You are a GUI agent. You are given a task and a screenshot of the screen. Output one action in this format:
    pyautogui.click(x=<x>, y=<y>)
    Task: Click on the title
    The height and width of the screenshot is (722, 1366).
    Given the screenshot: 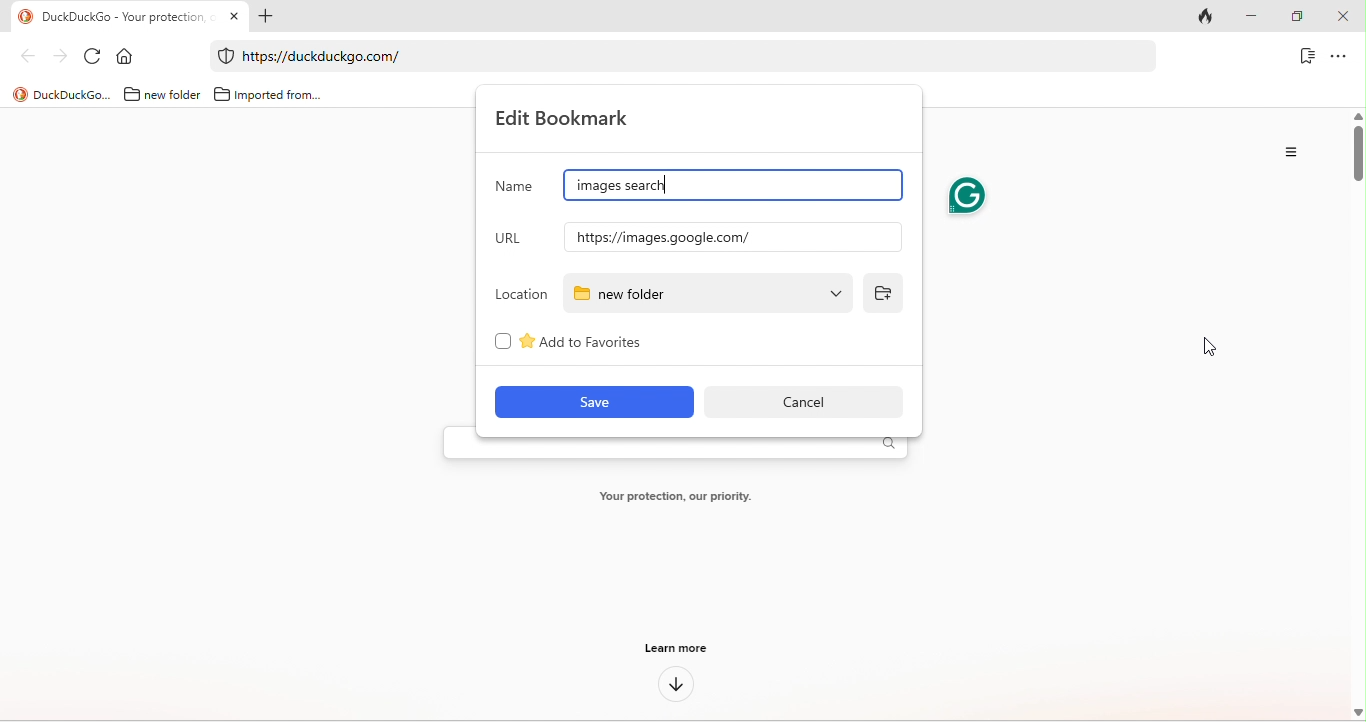 What is the action you would take?
    pyautogui.click(x=58, y=94)
    